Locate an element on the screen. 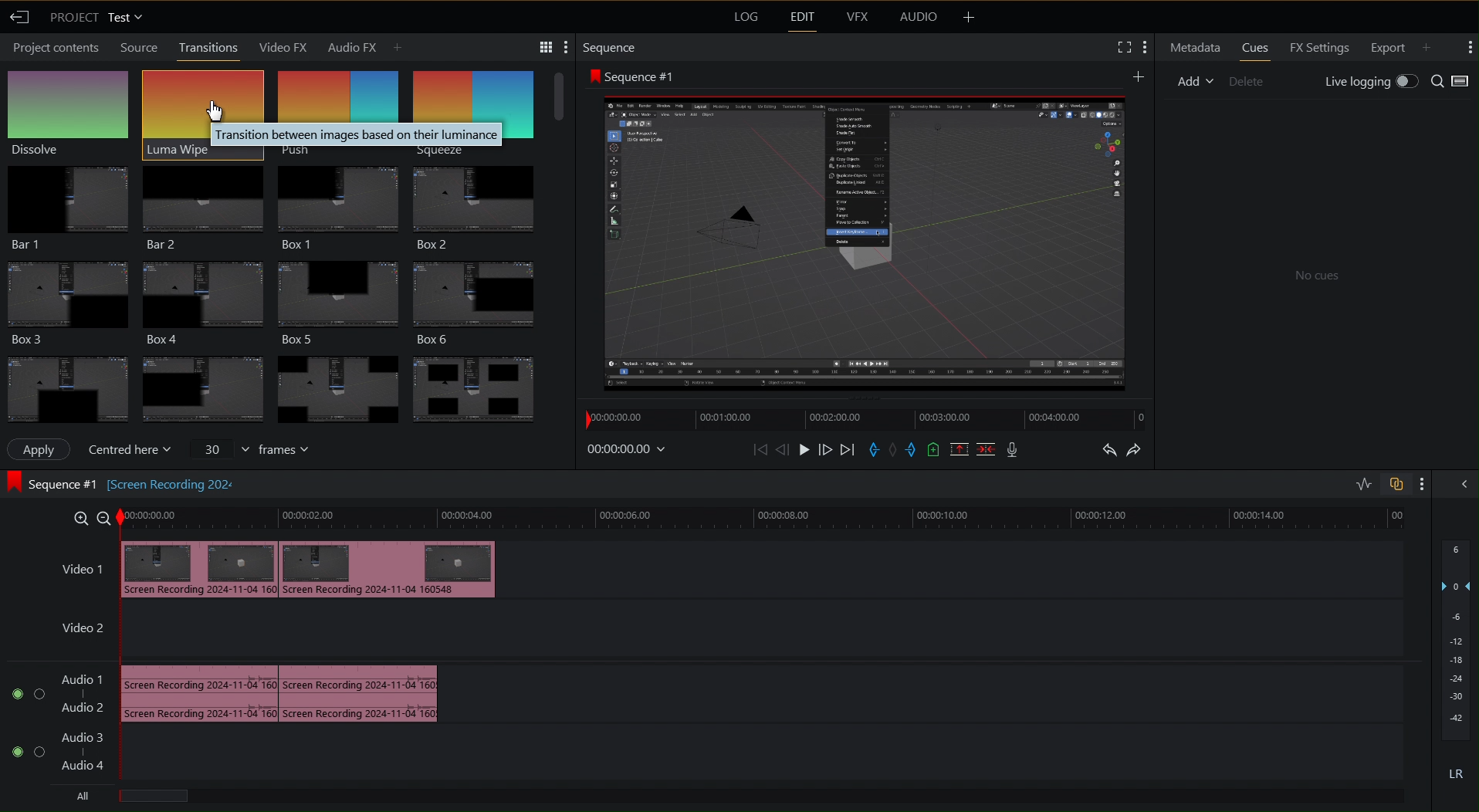 The image size is (1479, 812). Entry Marker is located at coordinates (873, 450).